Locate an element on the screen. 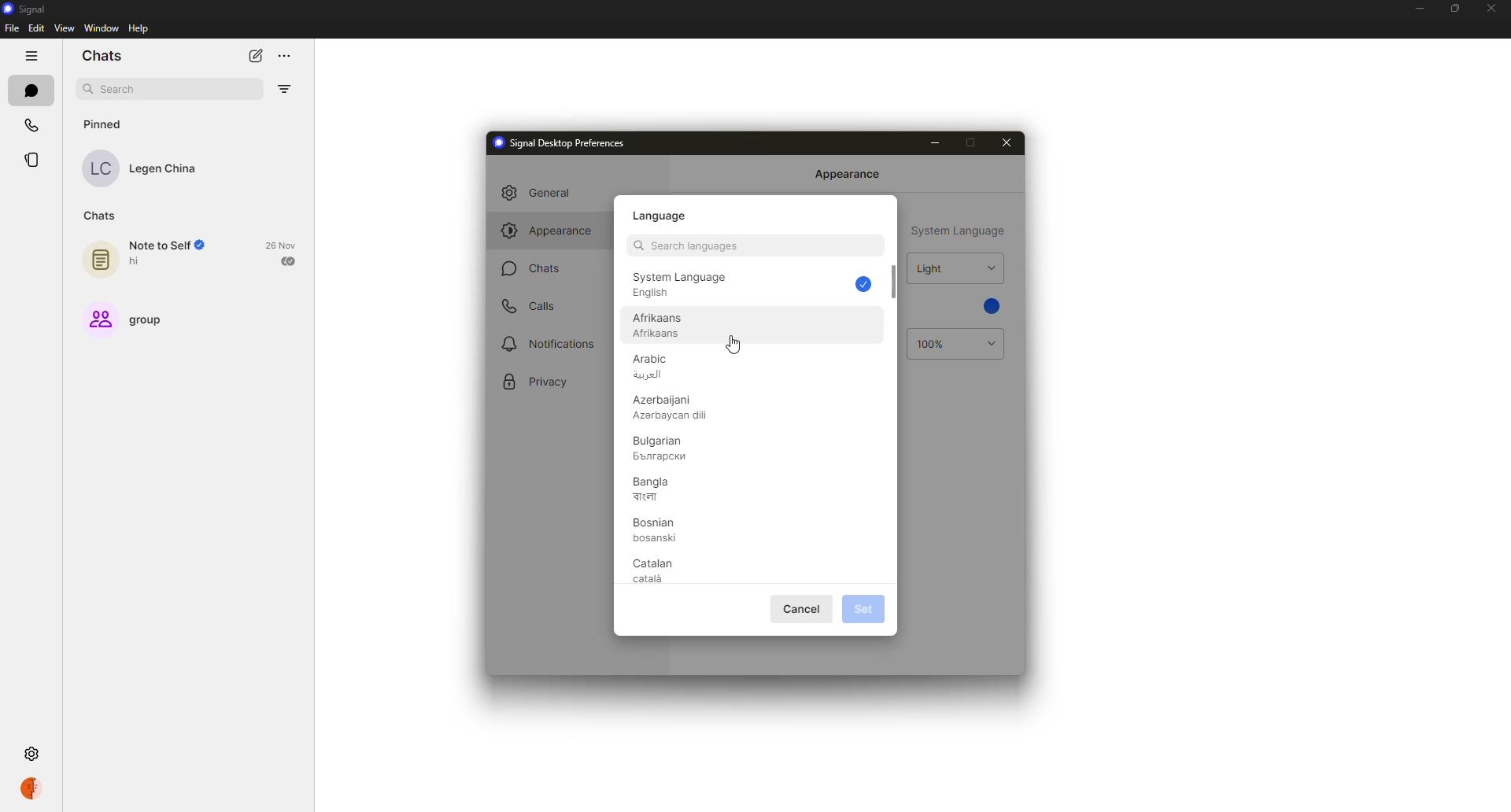 The image size is (1511, 812). calls is located at coordinates (536, 305).